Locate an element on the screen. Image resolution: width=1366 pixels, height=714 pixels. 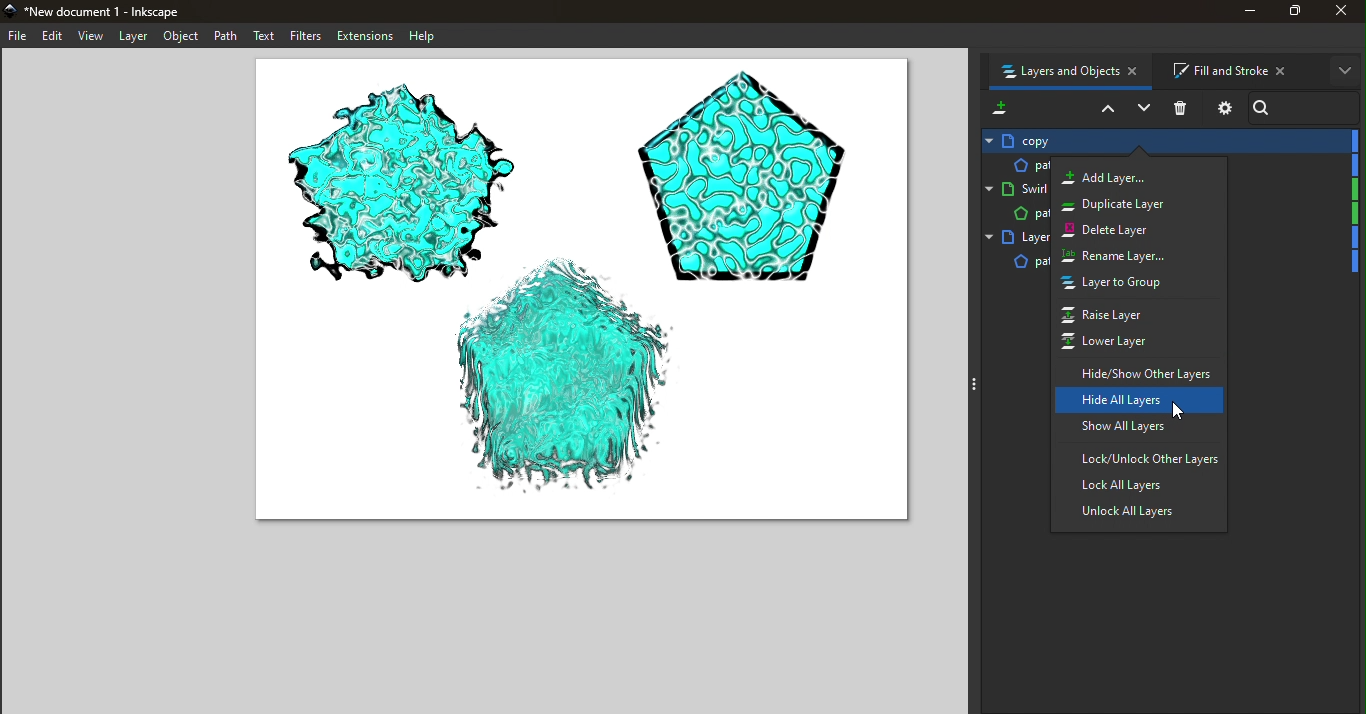
Close is located at coordinates (1345, 10).